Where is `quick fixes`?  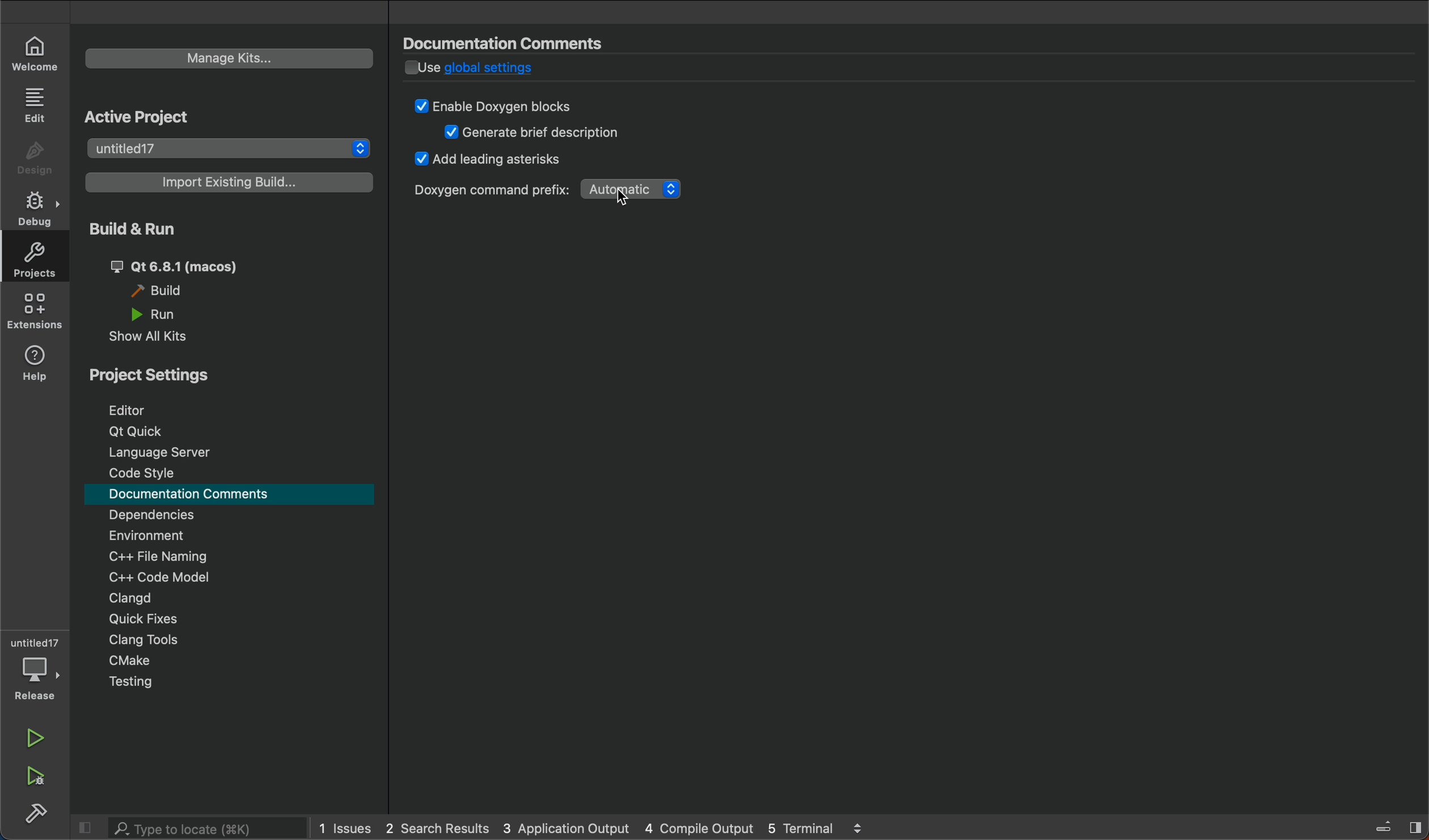 quick fixes is located at coordinates (150, 619).